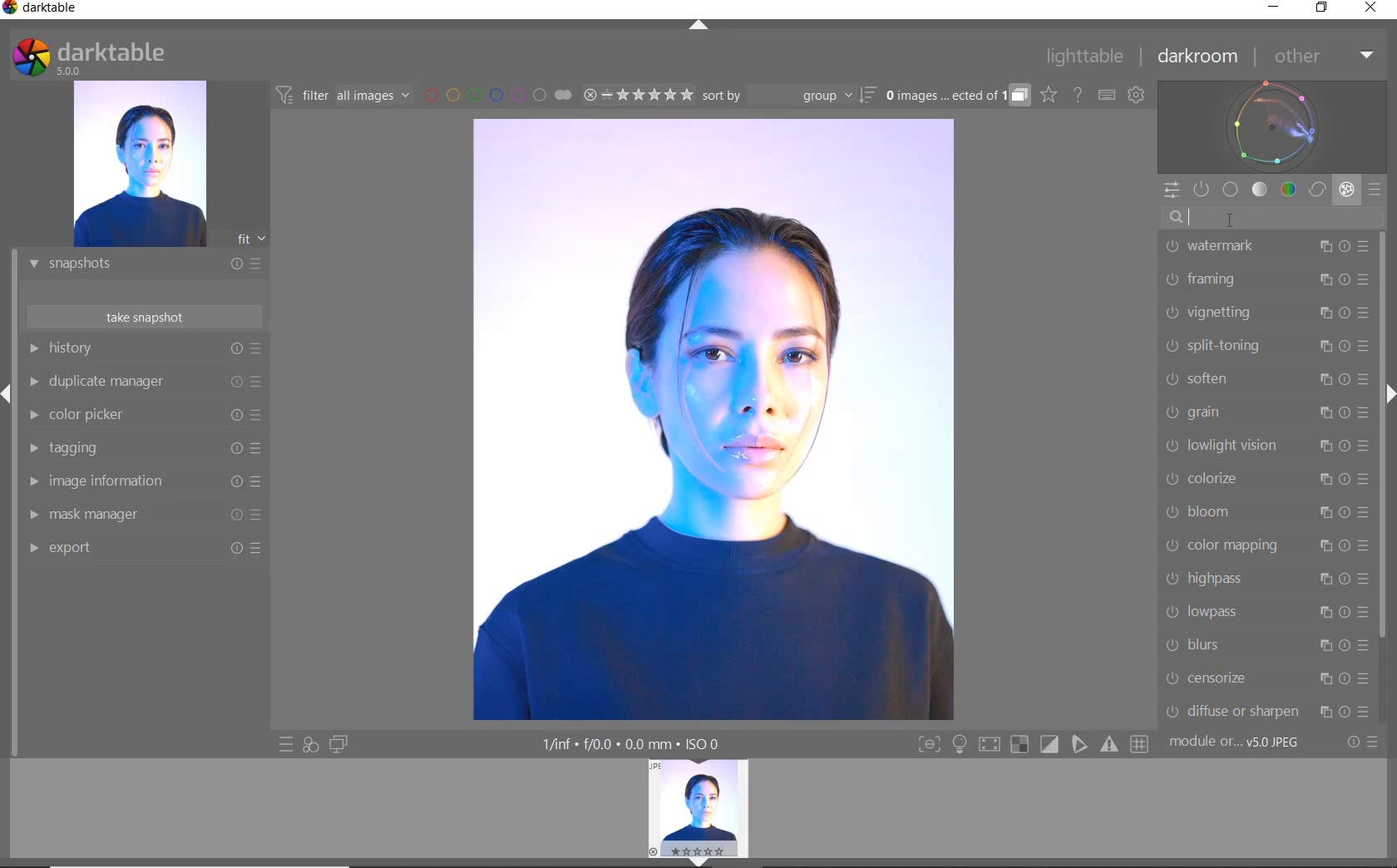 This screenshot has width=1397, height=868. What do you see at coordinates (1266, 678) in the screenshot?
I see `CENSORIZE` at bounding box center [1266, 678].